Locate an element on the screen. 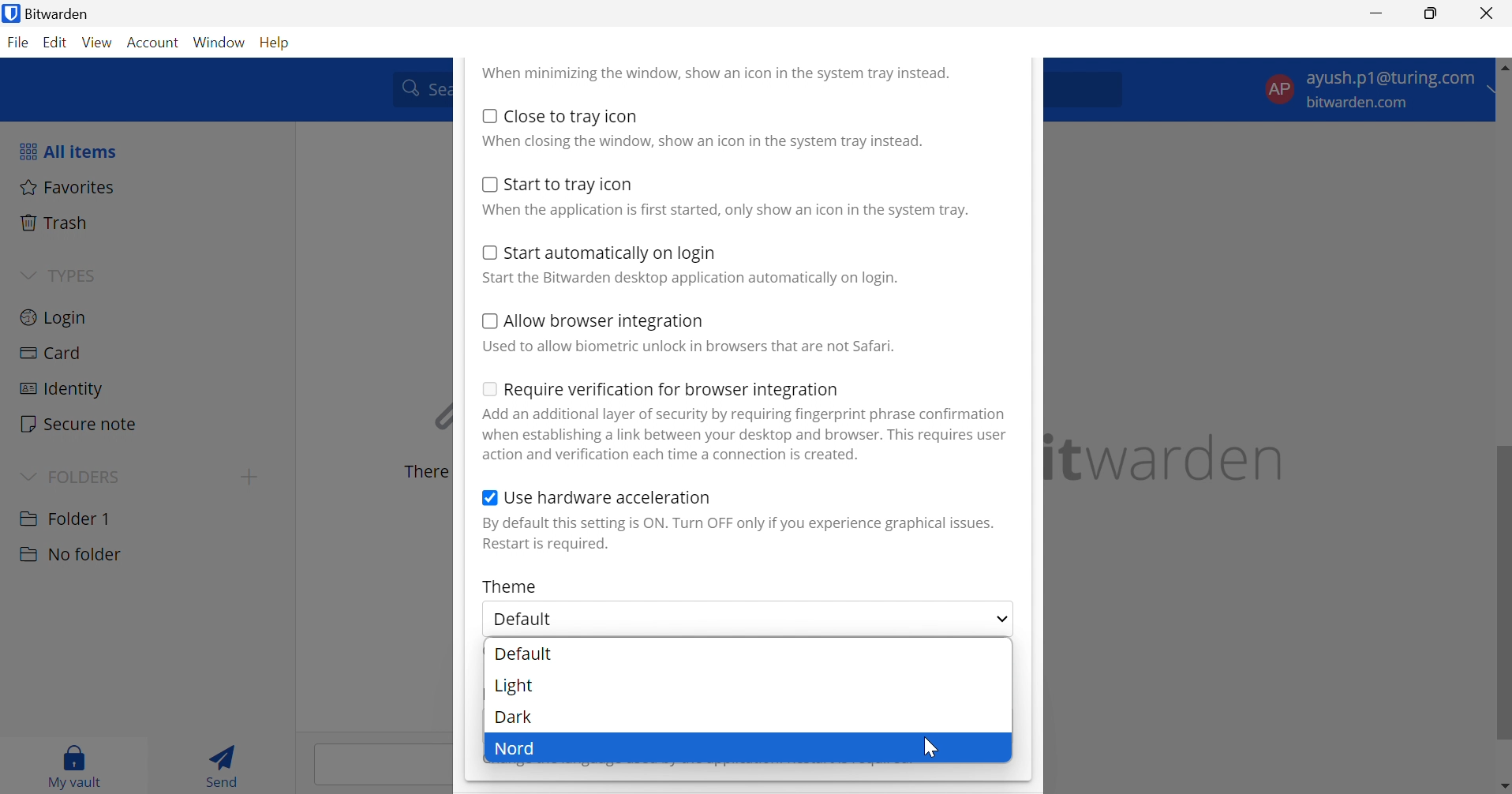 The height and width of the screenshot is (794, 1512). Start the Bitwarden desktop application automatically on login. is located at coordinates (692, 279).